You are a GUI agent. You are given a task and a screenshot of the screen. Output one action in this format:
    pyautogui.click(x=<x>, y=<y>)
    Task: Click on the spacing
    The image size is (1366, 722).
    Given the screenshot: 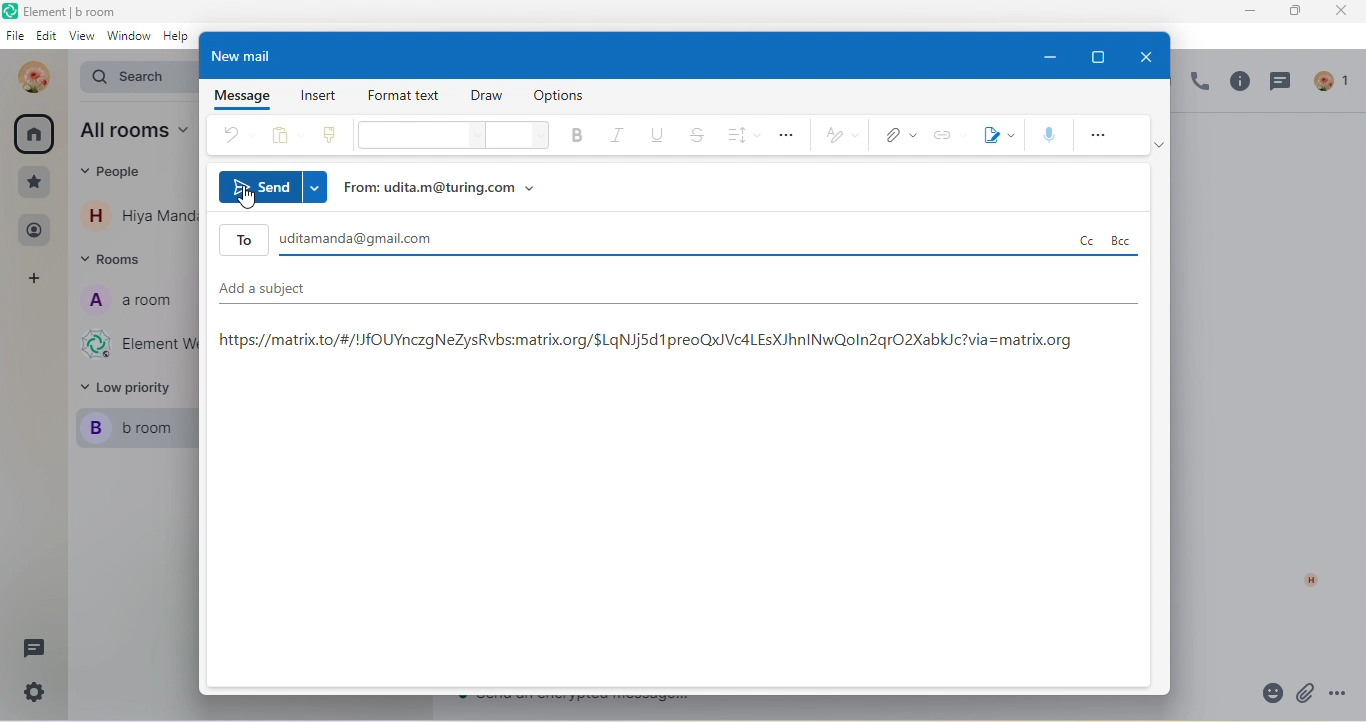 What is the action you would take?
    pyautogui.click(x=742, y=135)
    